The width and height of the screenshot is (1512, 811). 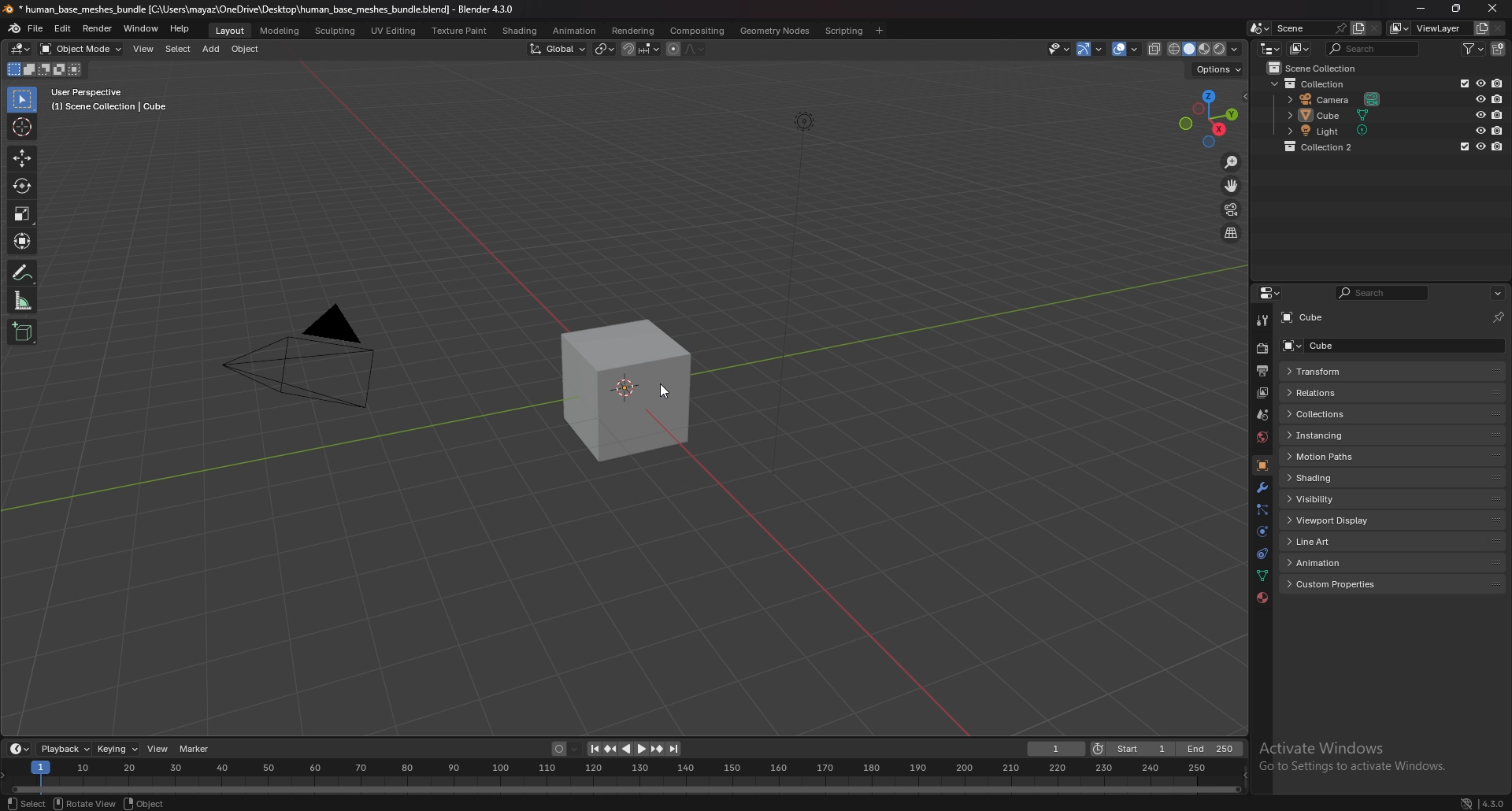 I want to click on scene collection, so click(x=1318, y=67).